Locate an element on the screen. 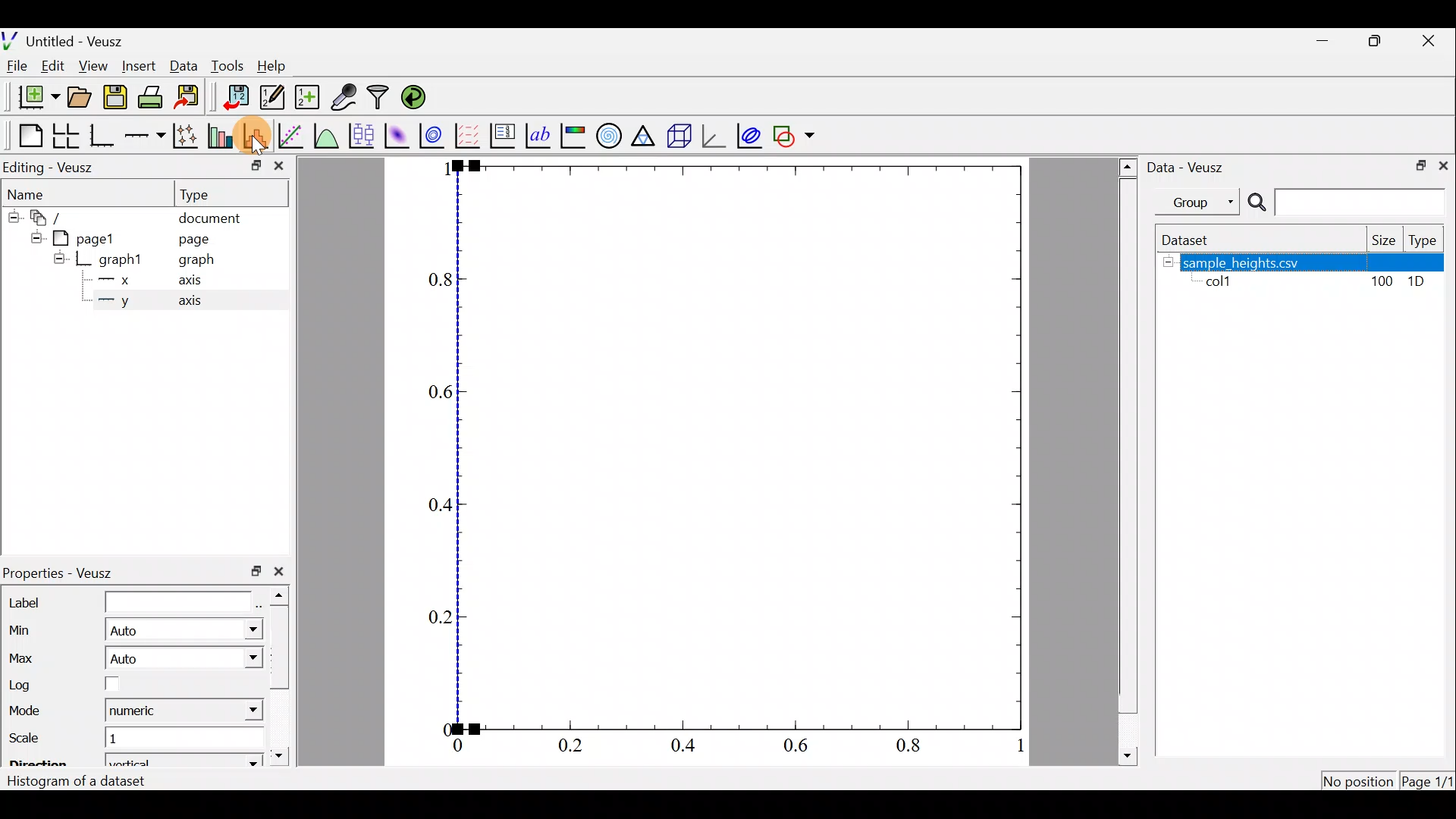  Max is located at coordinates (26, 655).